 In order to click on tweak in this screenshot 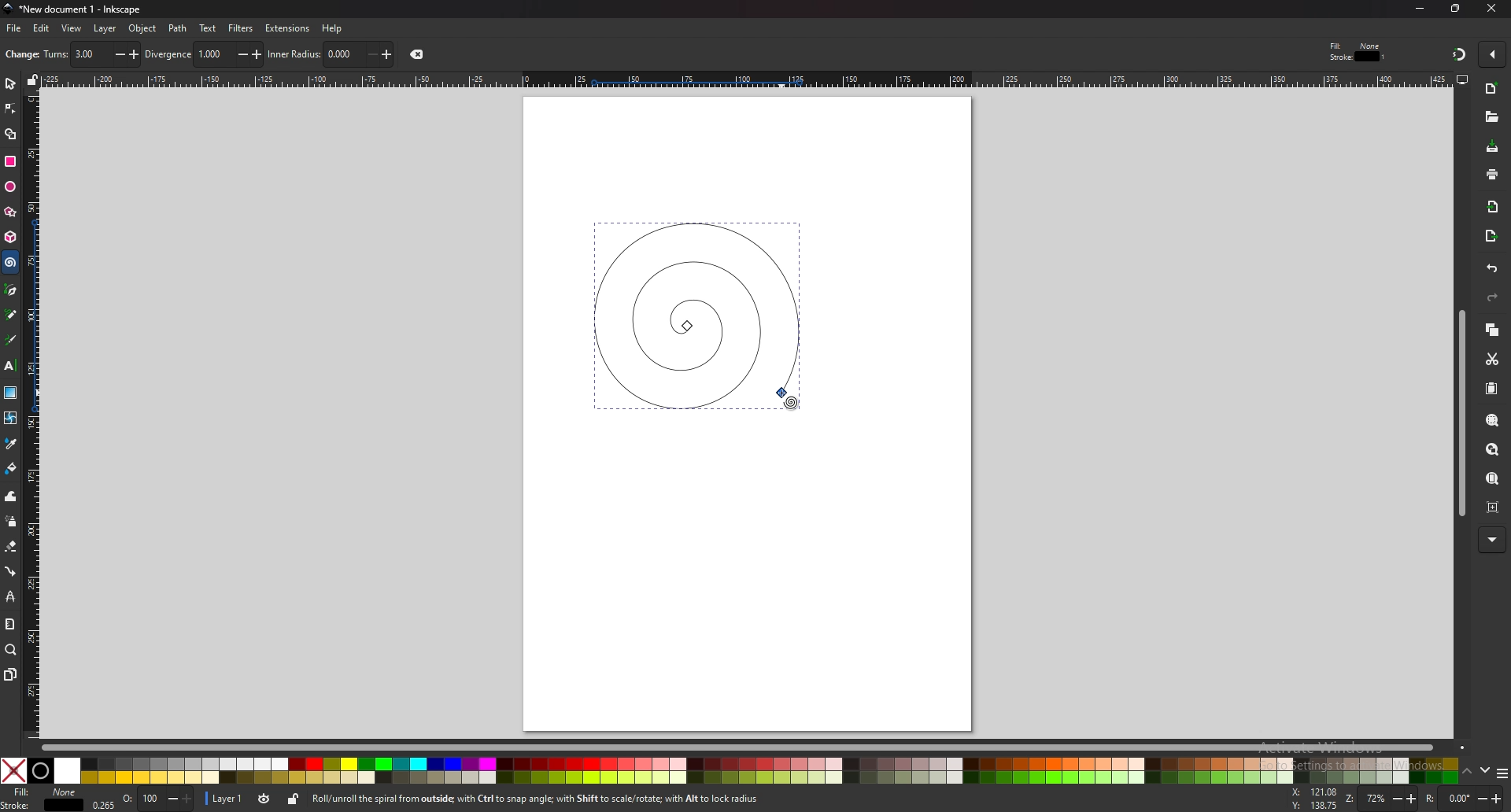, I will do `click(10, 497)`.